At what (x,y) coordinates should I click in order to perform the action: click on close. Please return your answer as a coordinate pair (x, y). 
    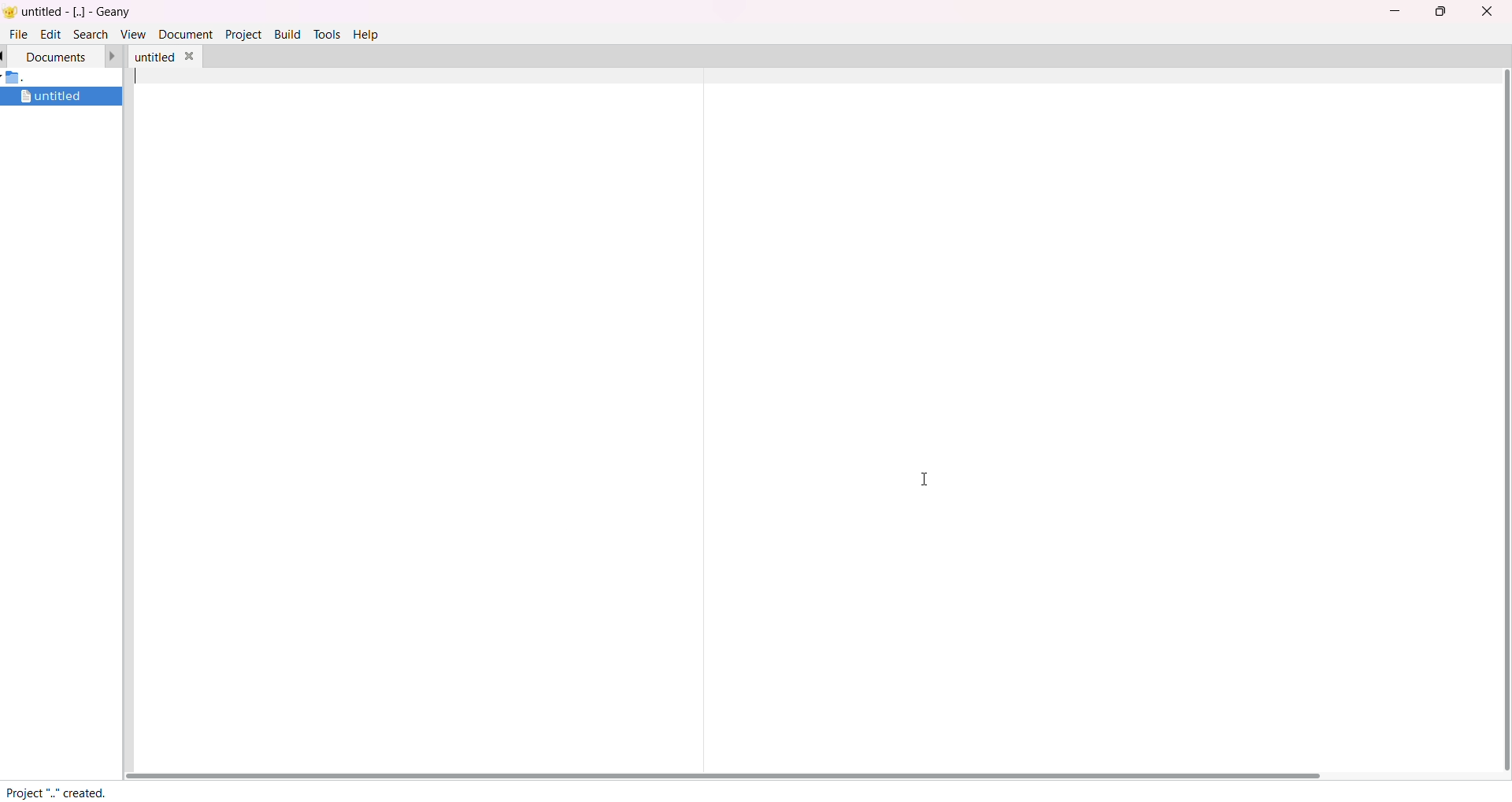
    Looking at the image, I should click on (193, 58).